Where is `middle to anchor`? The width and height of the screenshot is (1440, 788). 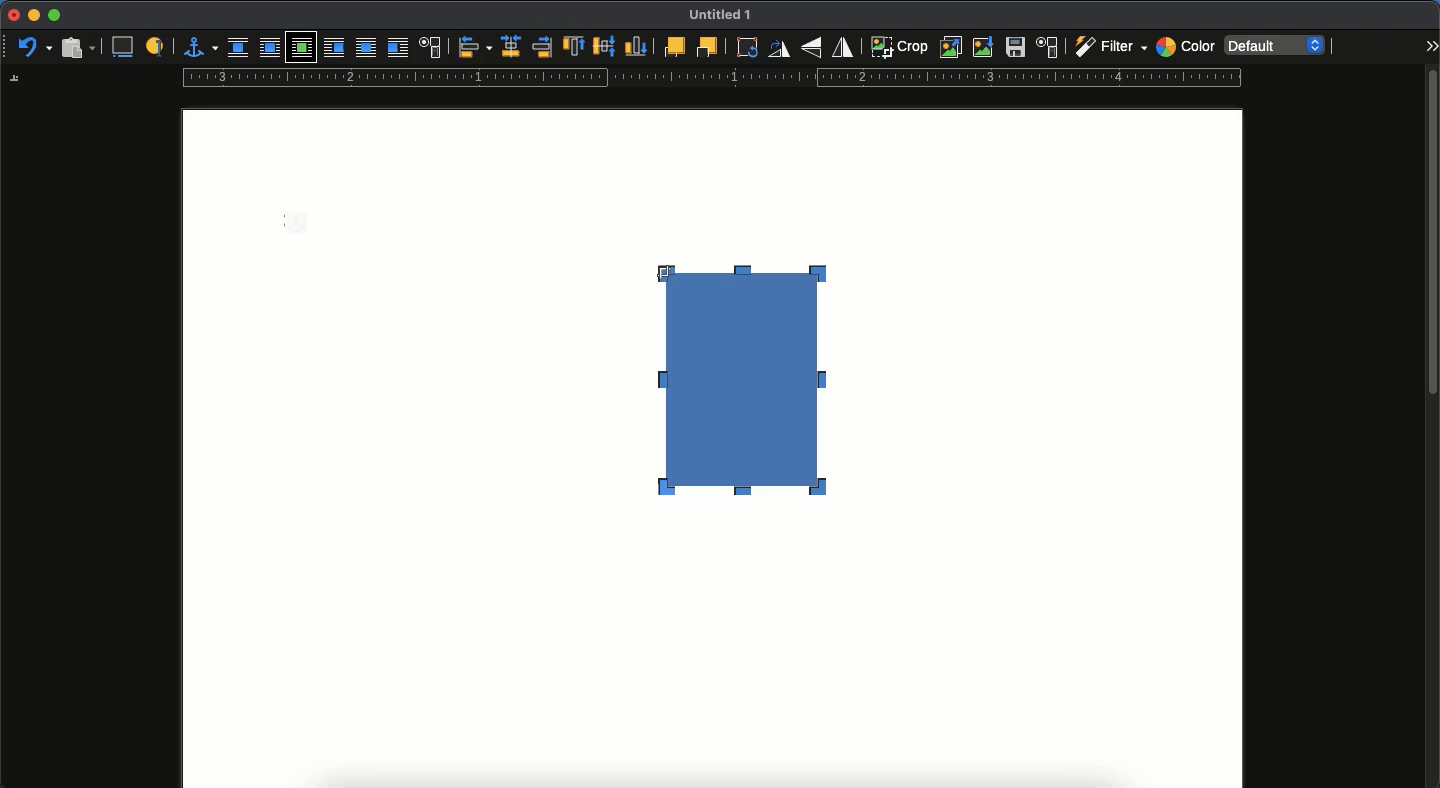 middle to anchor is located at coordinates (605, 46).